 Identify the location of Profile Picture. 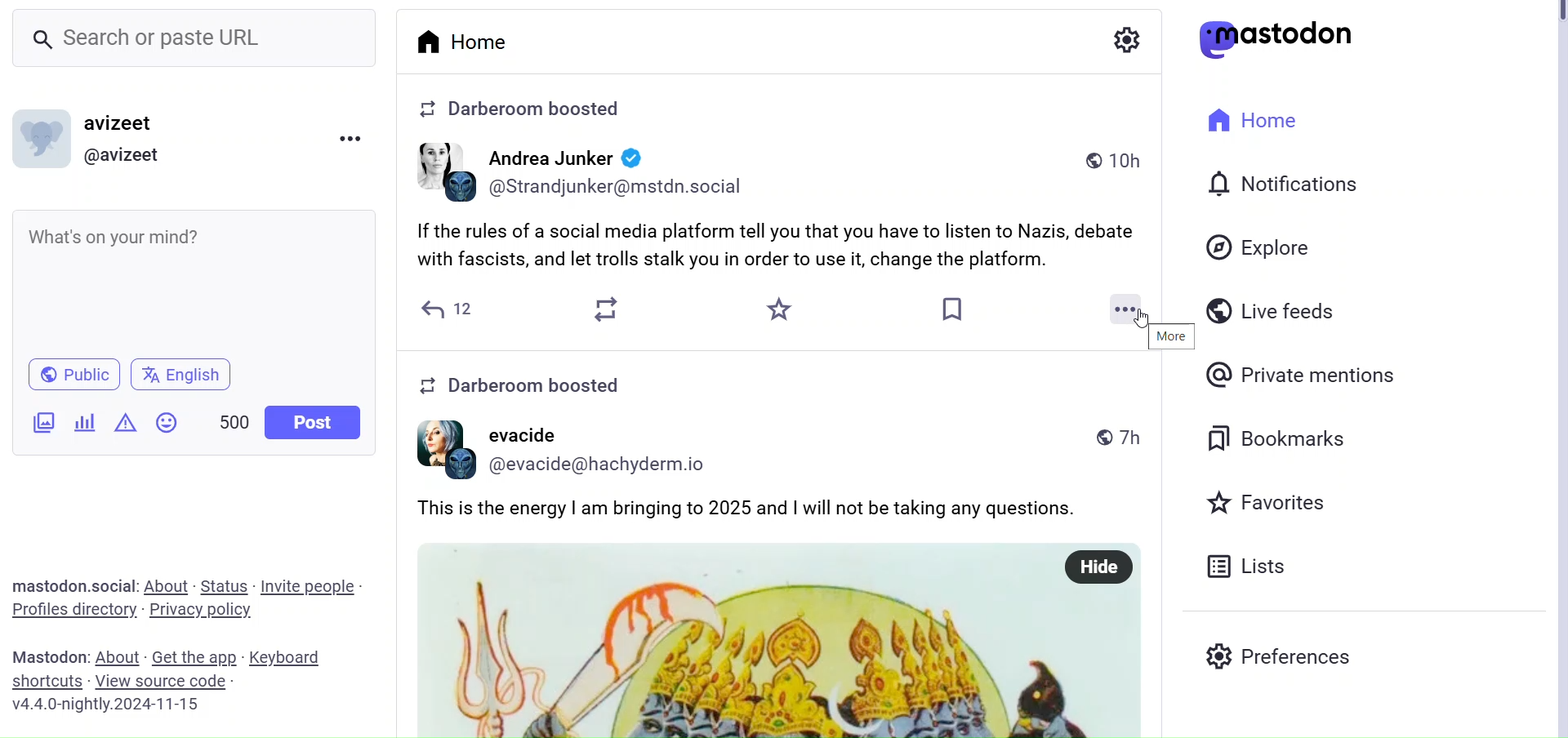
(42, 139).